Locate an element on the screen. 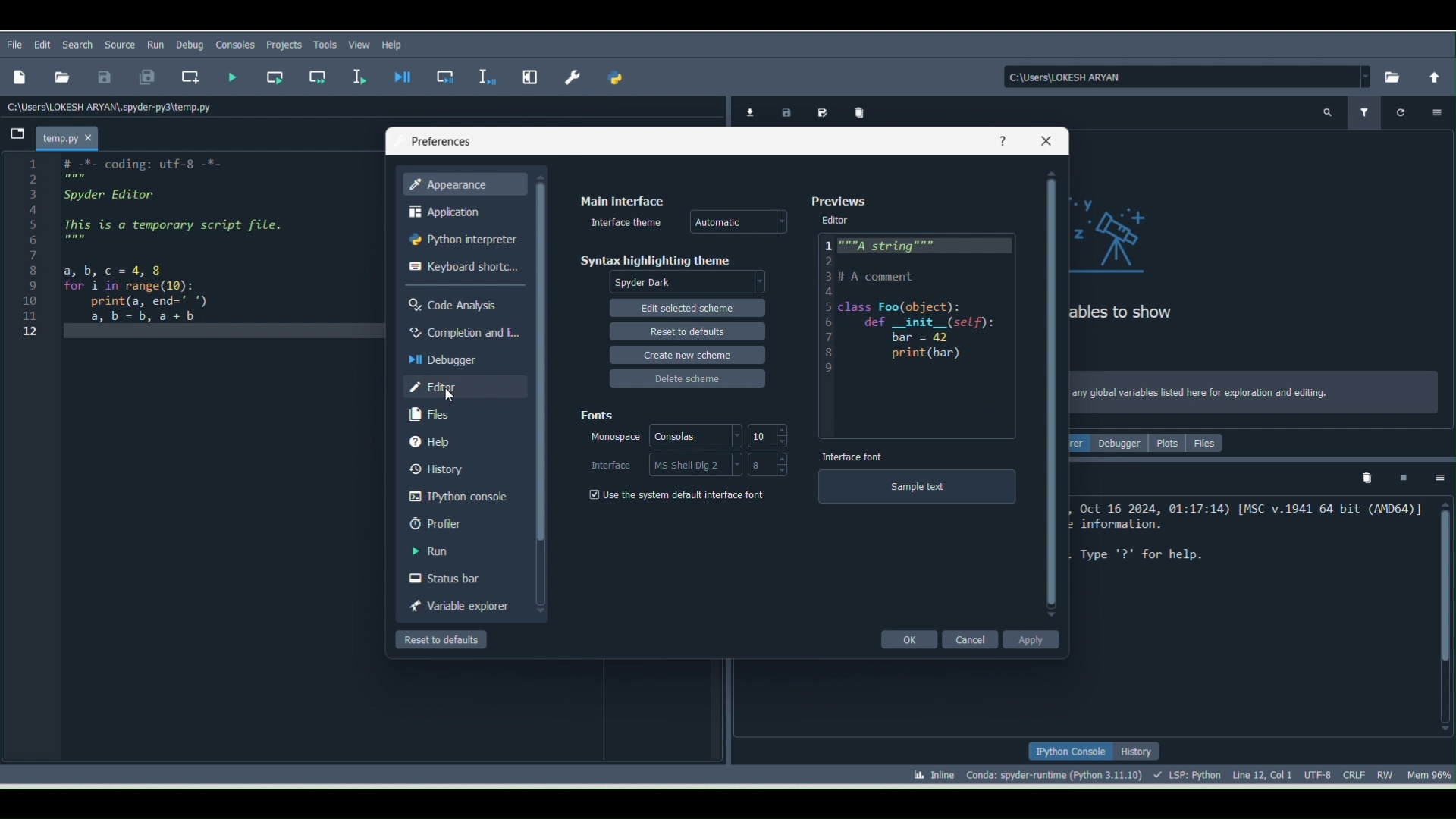 Image resolution: width=1456 pixels, height=819 pixels. Delete scheme is located at coordinates (687, 375).